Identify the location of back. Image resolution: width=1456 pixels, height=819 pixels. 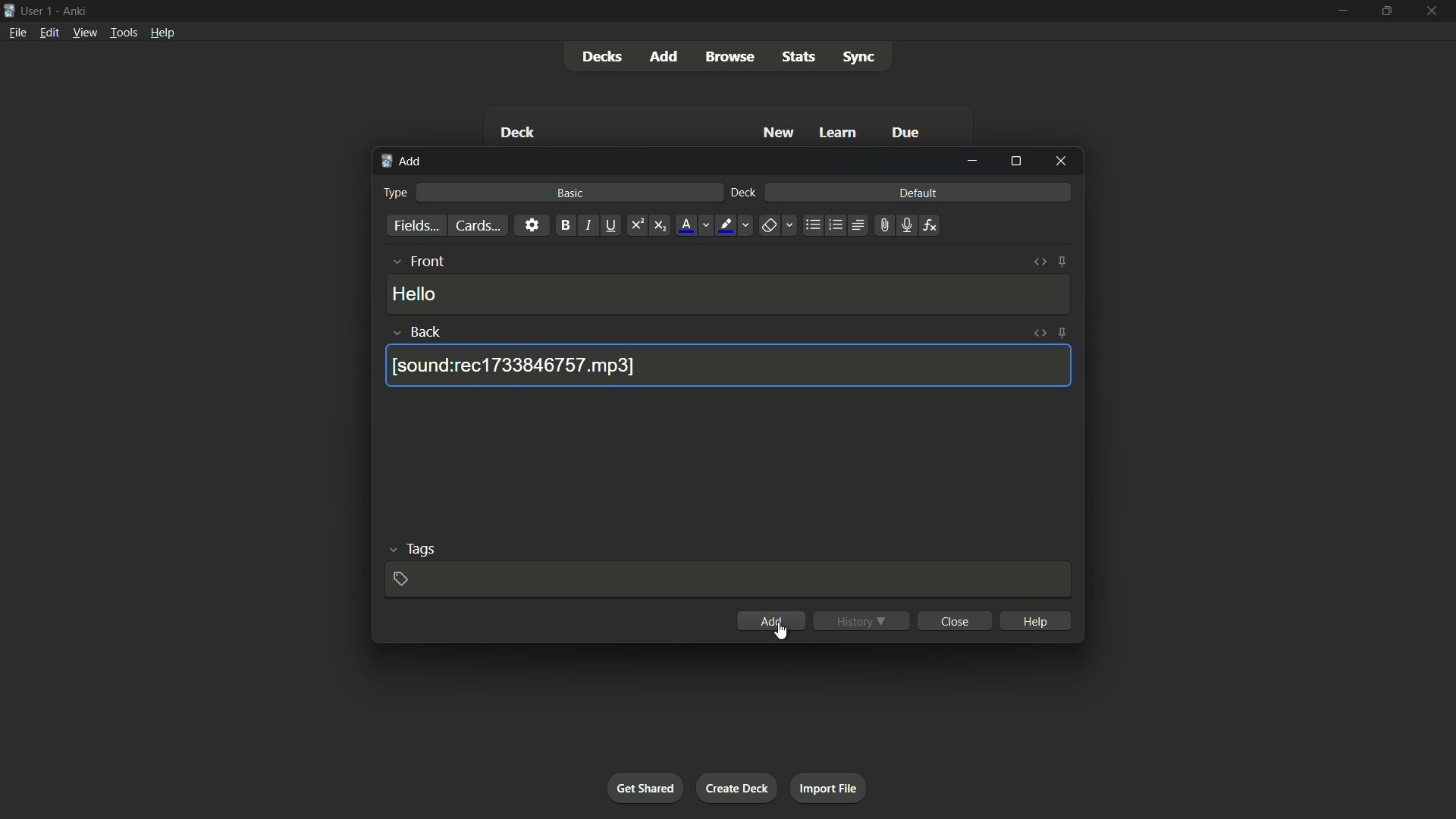
(416, 331).